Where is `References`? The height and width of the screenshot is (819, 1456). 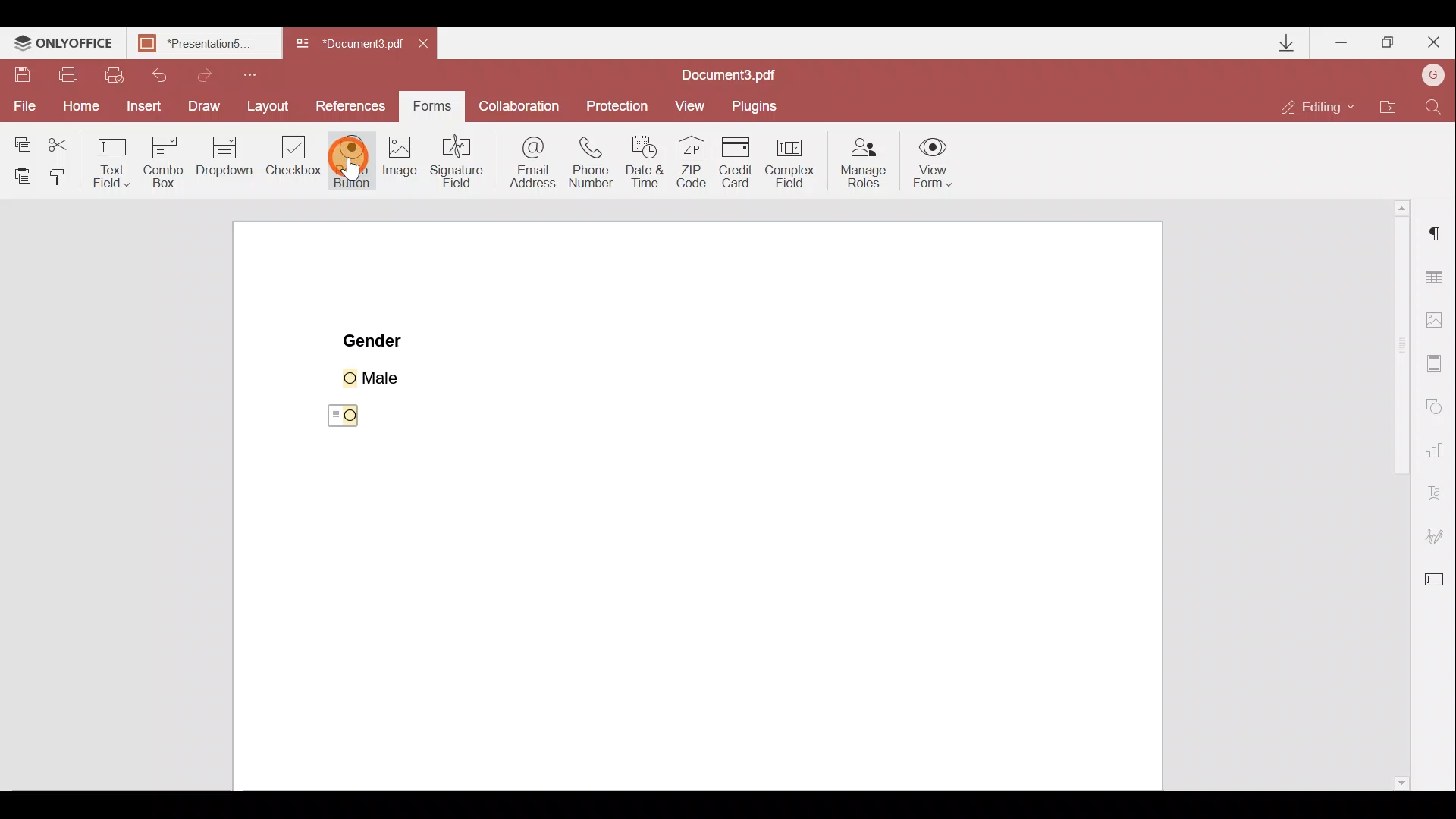 References is located at coordinates (352, 105).